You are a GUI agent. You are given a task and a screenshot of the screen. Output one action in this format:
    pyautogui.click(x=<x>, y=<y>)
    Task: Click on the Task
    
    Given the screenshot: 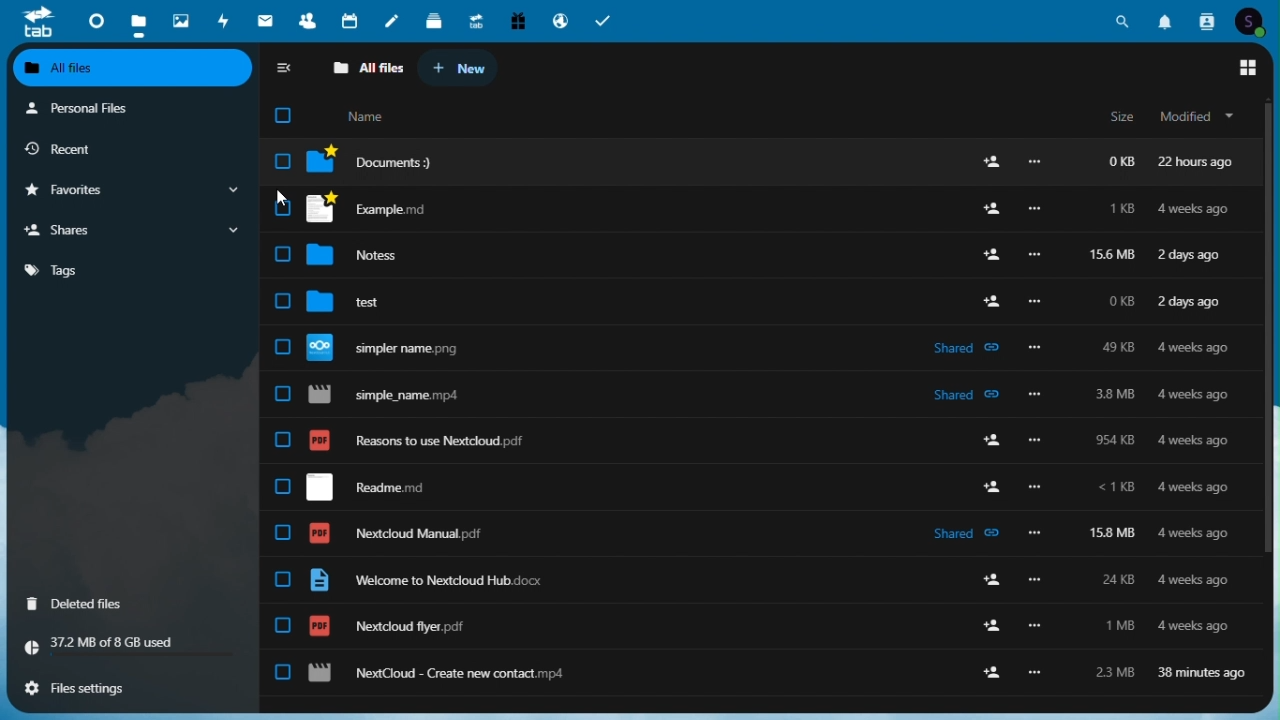 What is the action you would take?
    pyautogui.click(x=604, y=20)
    